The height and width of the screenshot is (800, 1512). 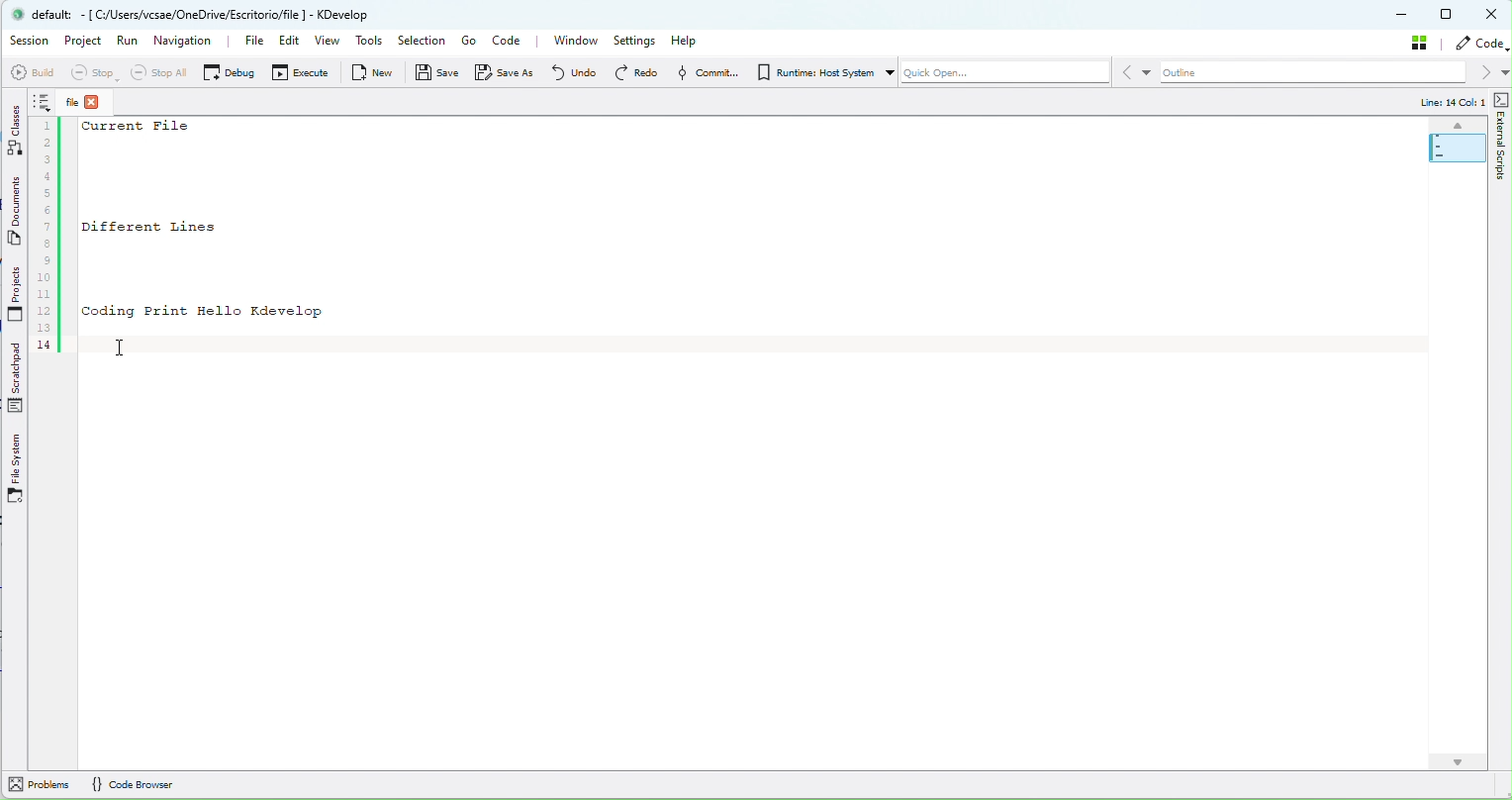 I want to click on Commit, so click(x=705, y=72).